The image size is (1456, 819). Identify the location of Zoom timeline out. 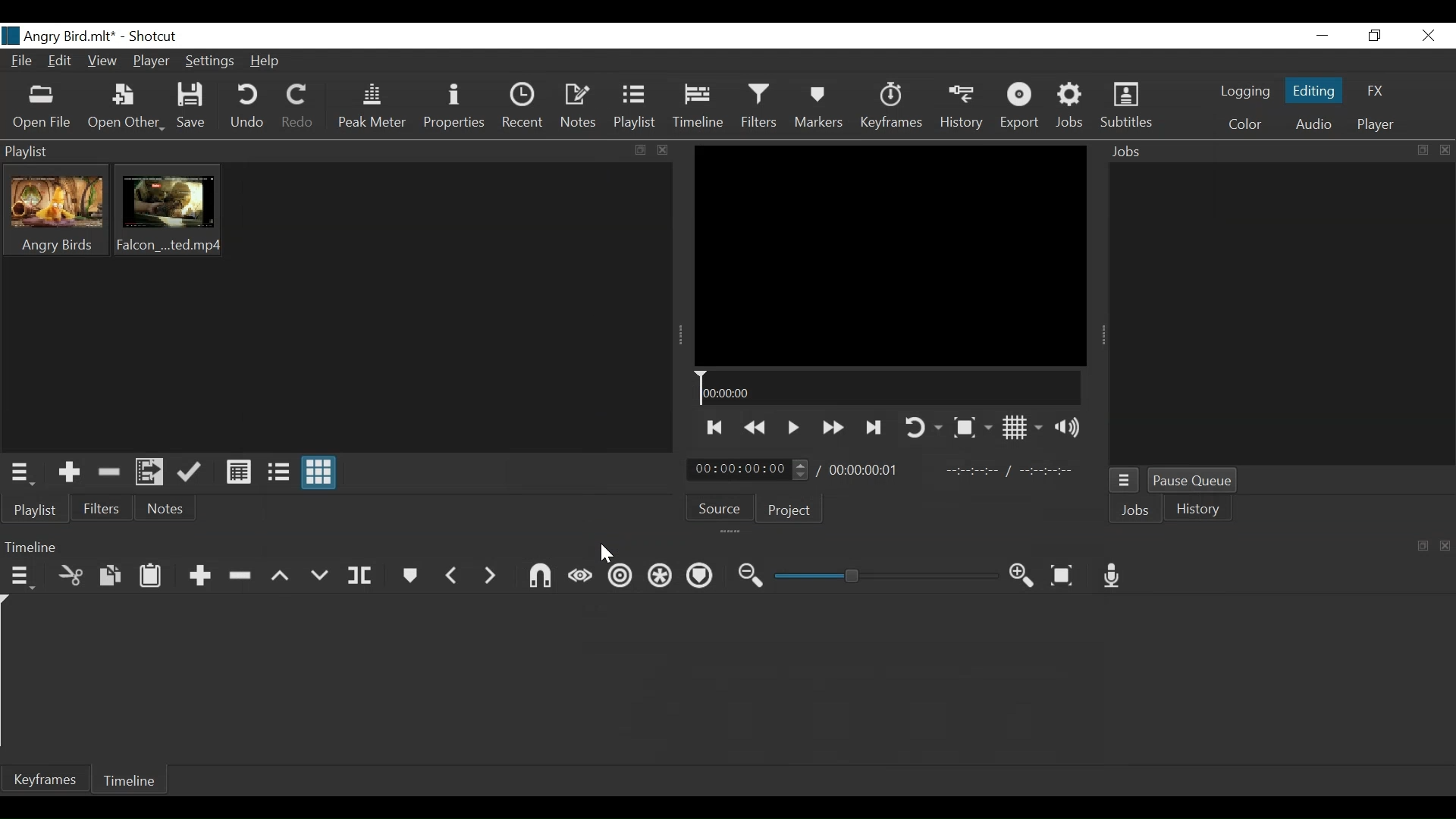
(1020, 576).